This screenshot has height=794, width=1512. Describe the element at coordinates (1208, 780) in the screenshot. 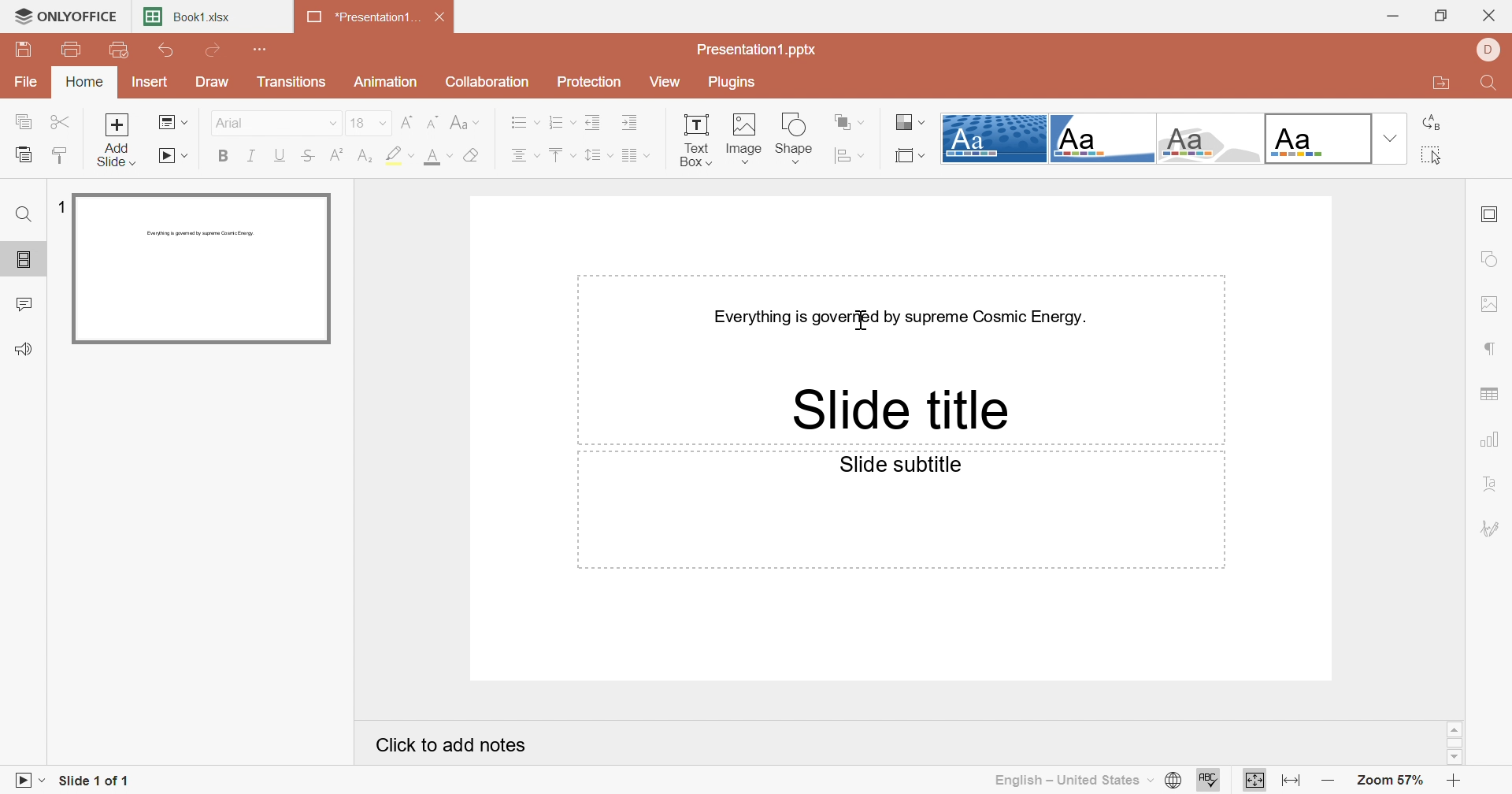

I see `Check Spelling` at that location.